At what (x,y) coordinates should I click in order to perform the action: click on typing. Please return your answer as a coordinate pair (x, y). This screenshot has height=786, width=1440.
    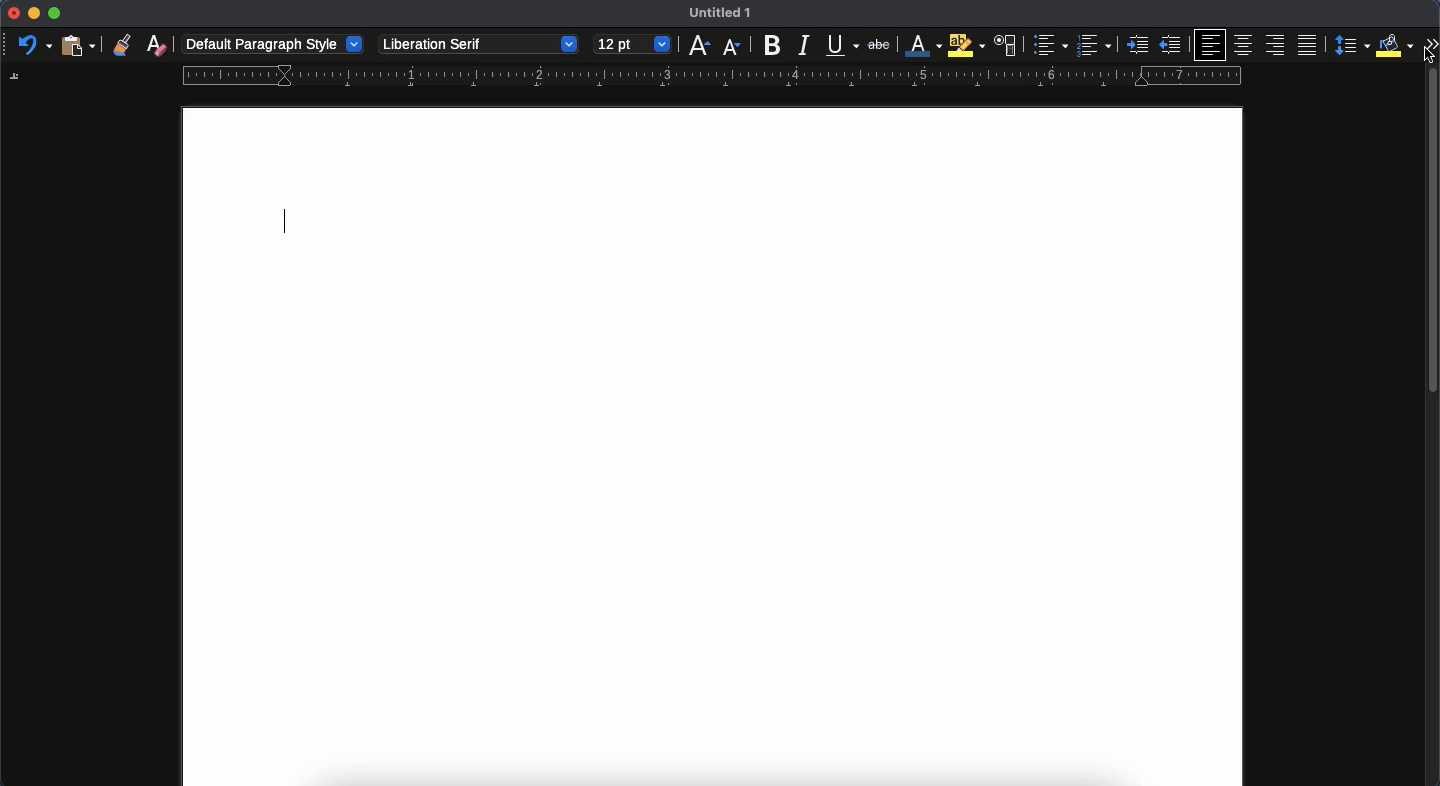
    Looking at the image, I should click on (286, 220).